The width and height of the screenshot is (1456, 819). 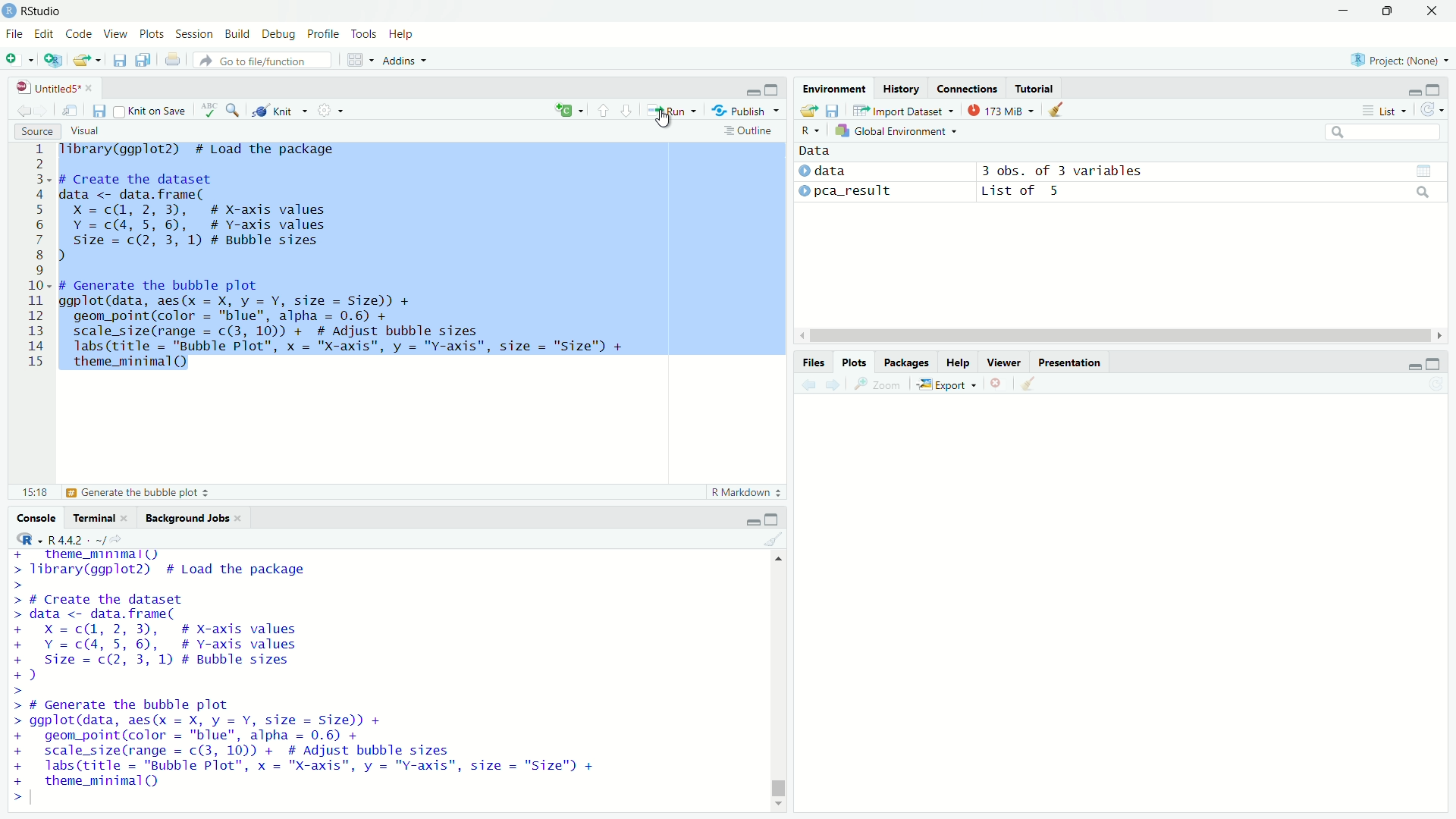 What do you see at coordinates (567, 111) in the screenshot?
I see `language select` at bounding box center [567, 111].